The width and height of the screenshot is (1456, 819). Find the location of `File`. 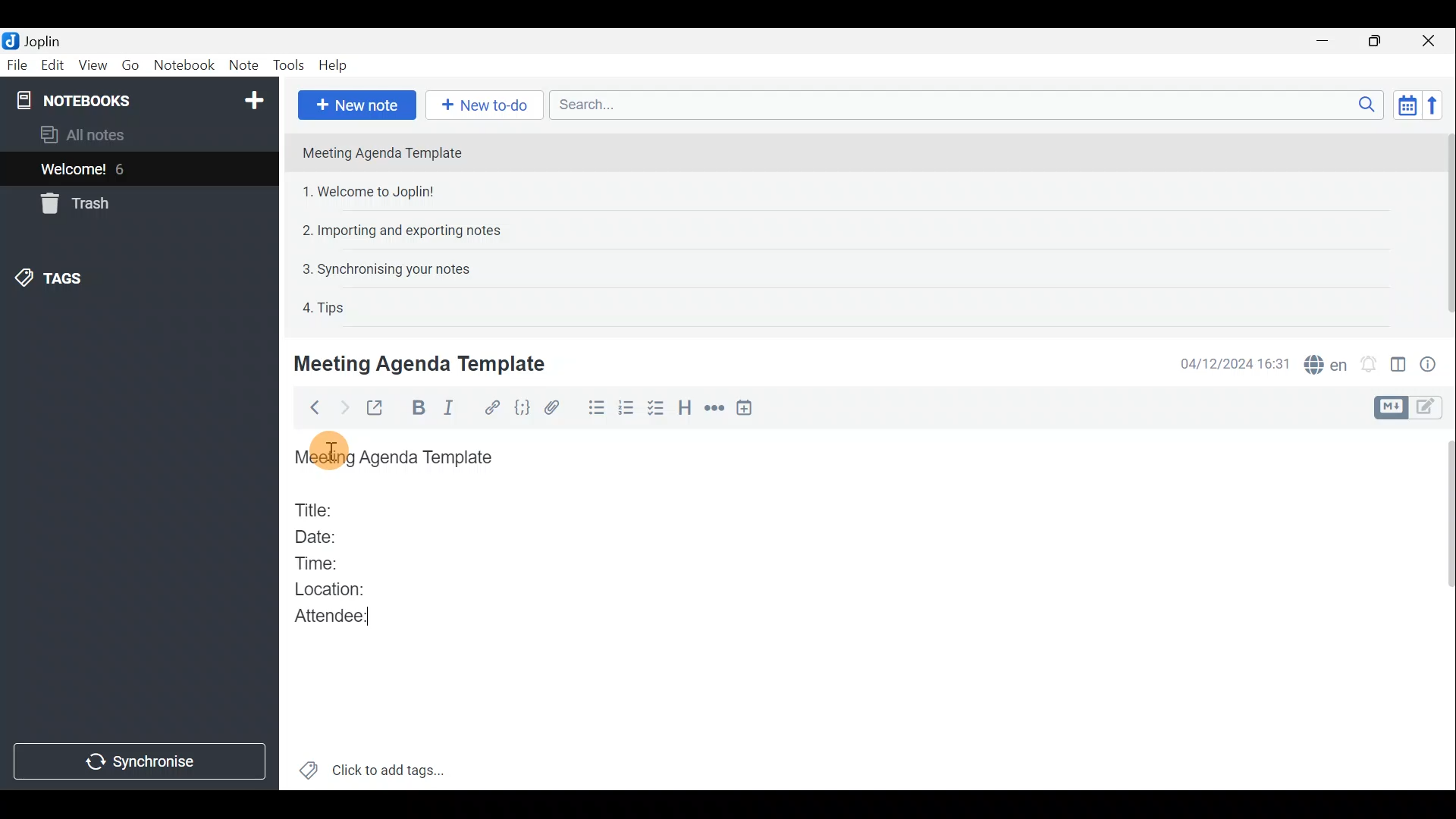

File is located at coordinates (17, 64).